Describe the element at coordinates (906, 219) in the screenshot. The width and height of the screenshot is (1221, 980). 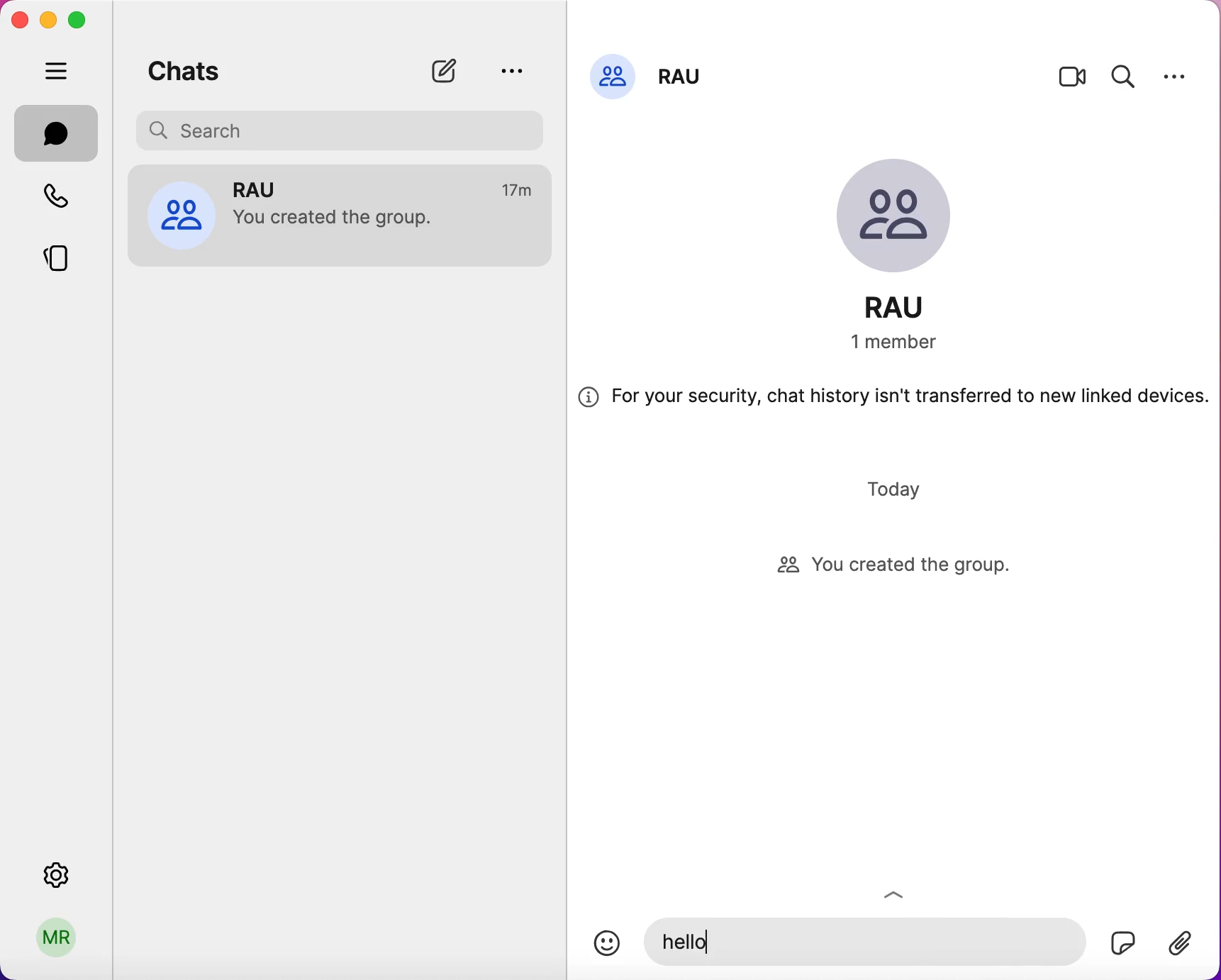
I see `group picture` at that location.